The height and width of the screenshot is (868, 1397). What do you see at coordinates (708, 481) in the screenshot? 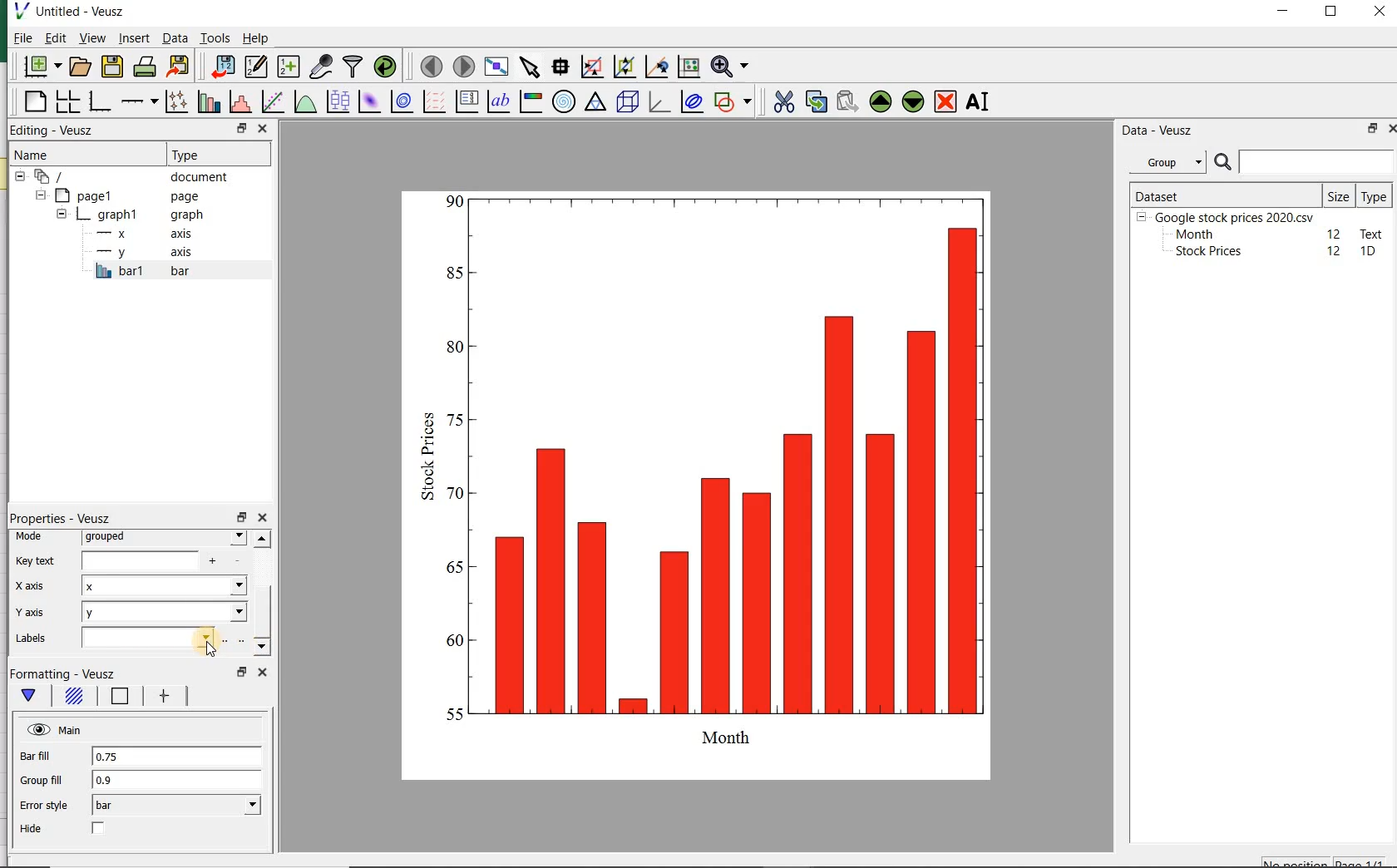
I see `bar graph` at bounding box center [708, 481].